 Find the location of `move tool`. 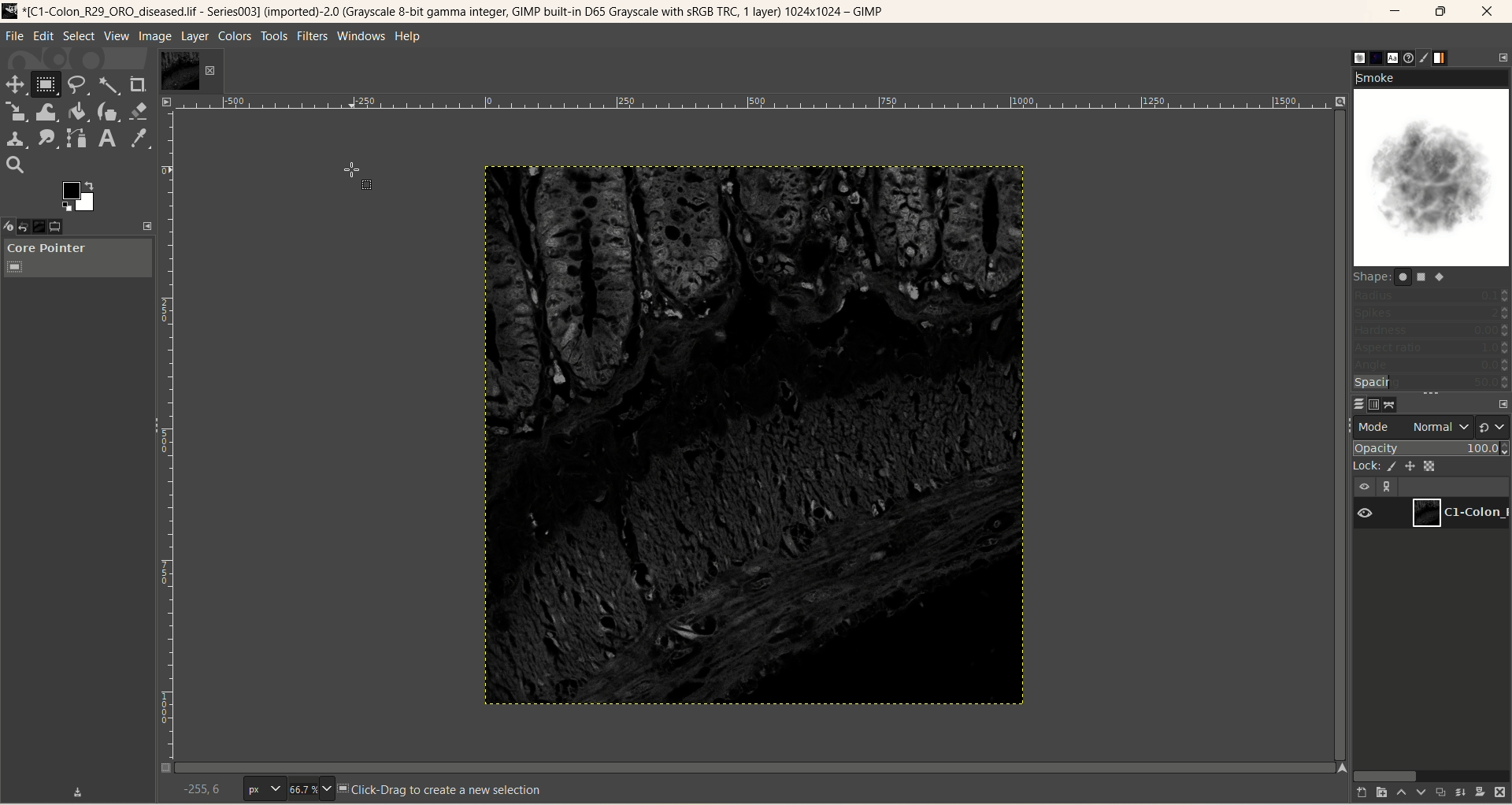

move tool is located at coordinates (17, 85).